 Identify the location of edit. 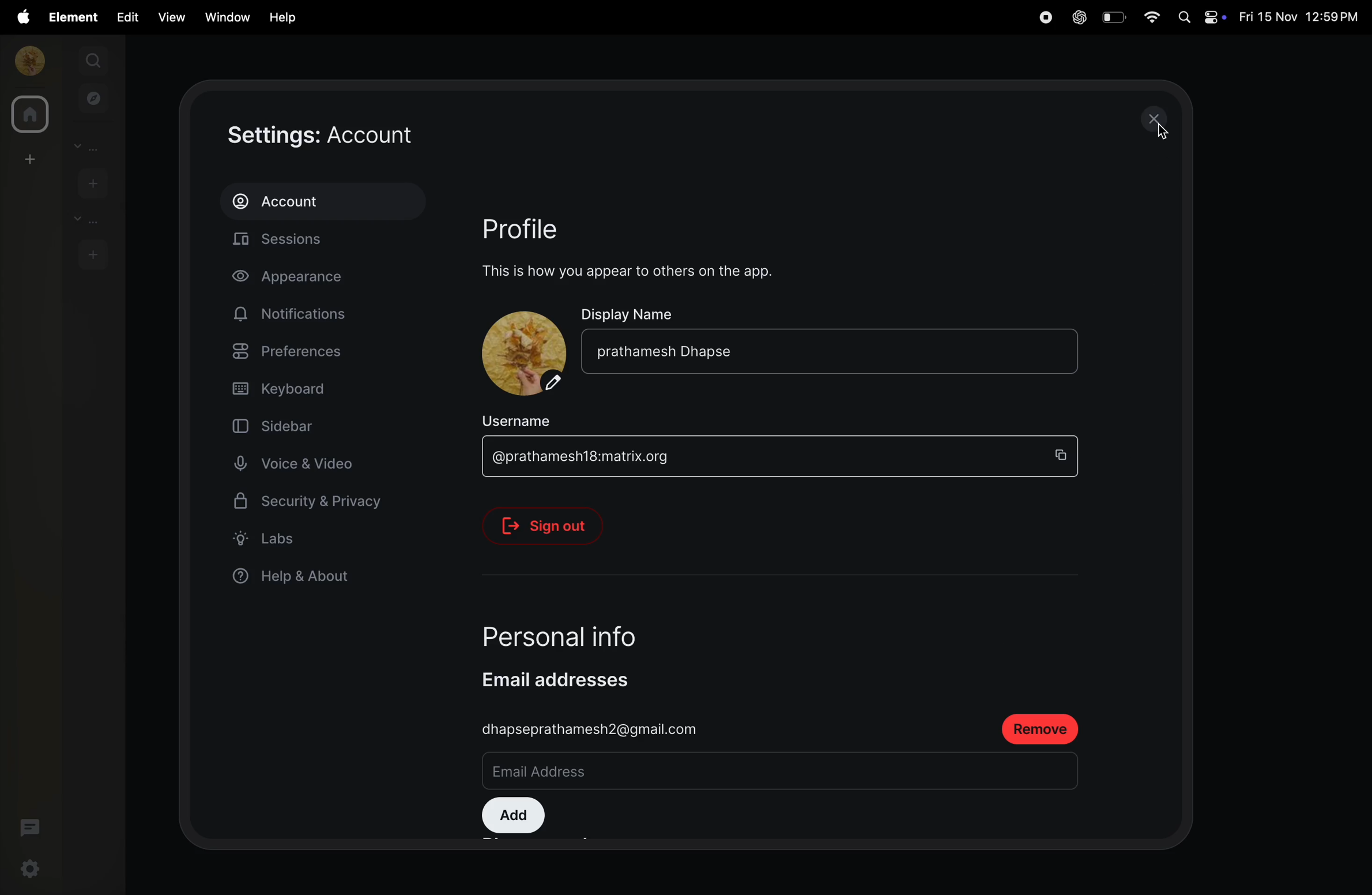
(127, 16).